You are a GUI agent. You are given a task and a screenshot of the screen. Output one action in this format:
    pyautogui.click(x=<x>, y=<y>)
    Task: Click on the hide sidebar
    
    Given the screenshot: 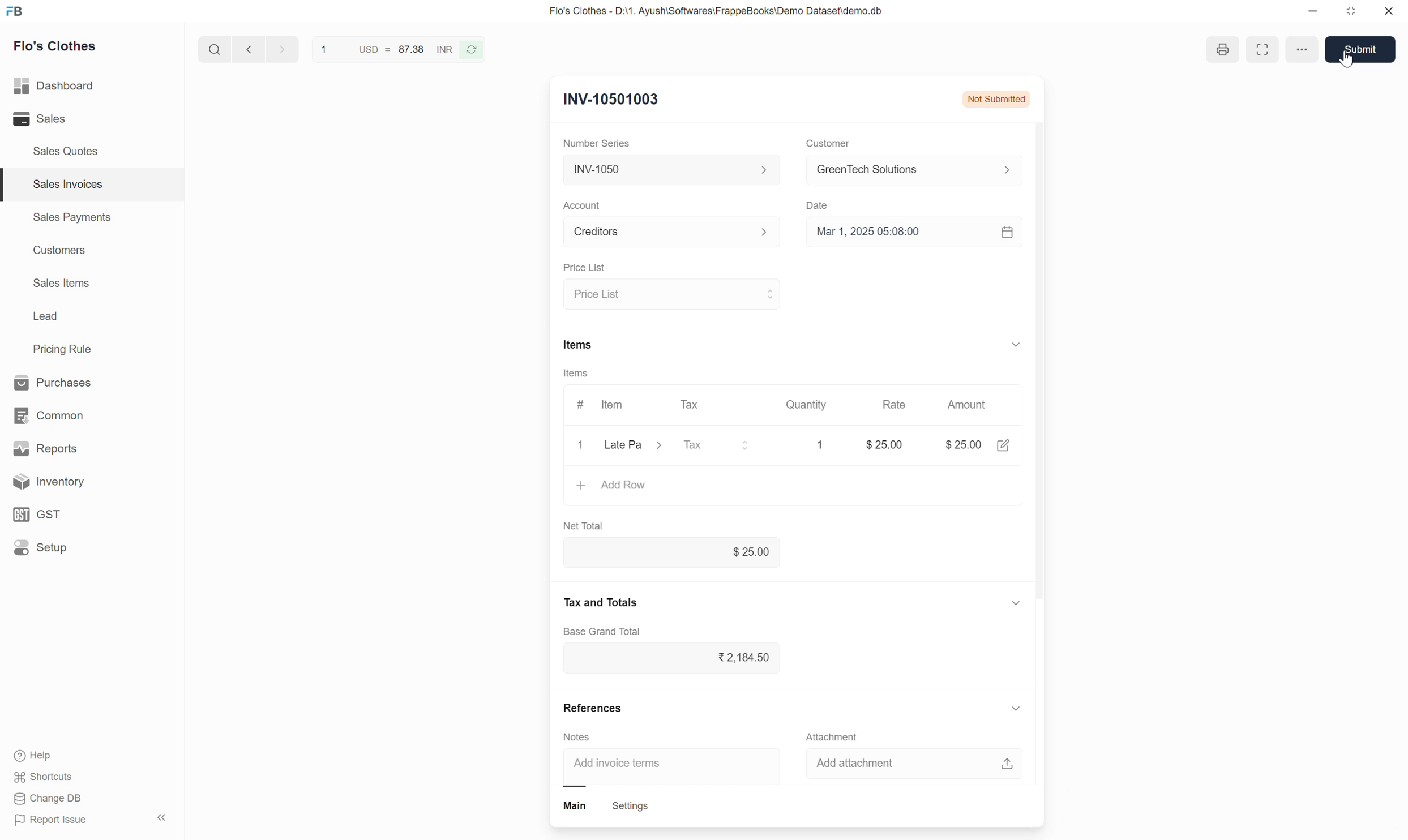 What is the action you would take?
    pyautogui.click(x=163, y=818)
    